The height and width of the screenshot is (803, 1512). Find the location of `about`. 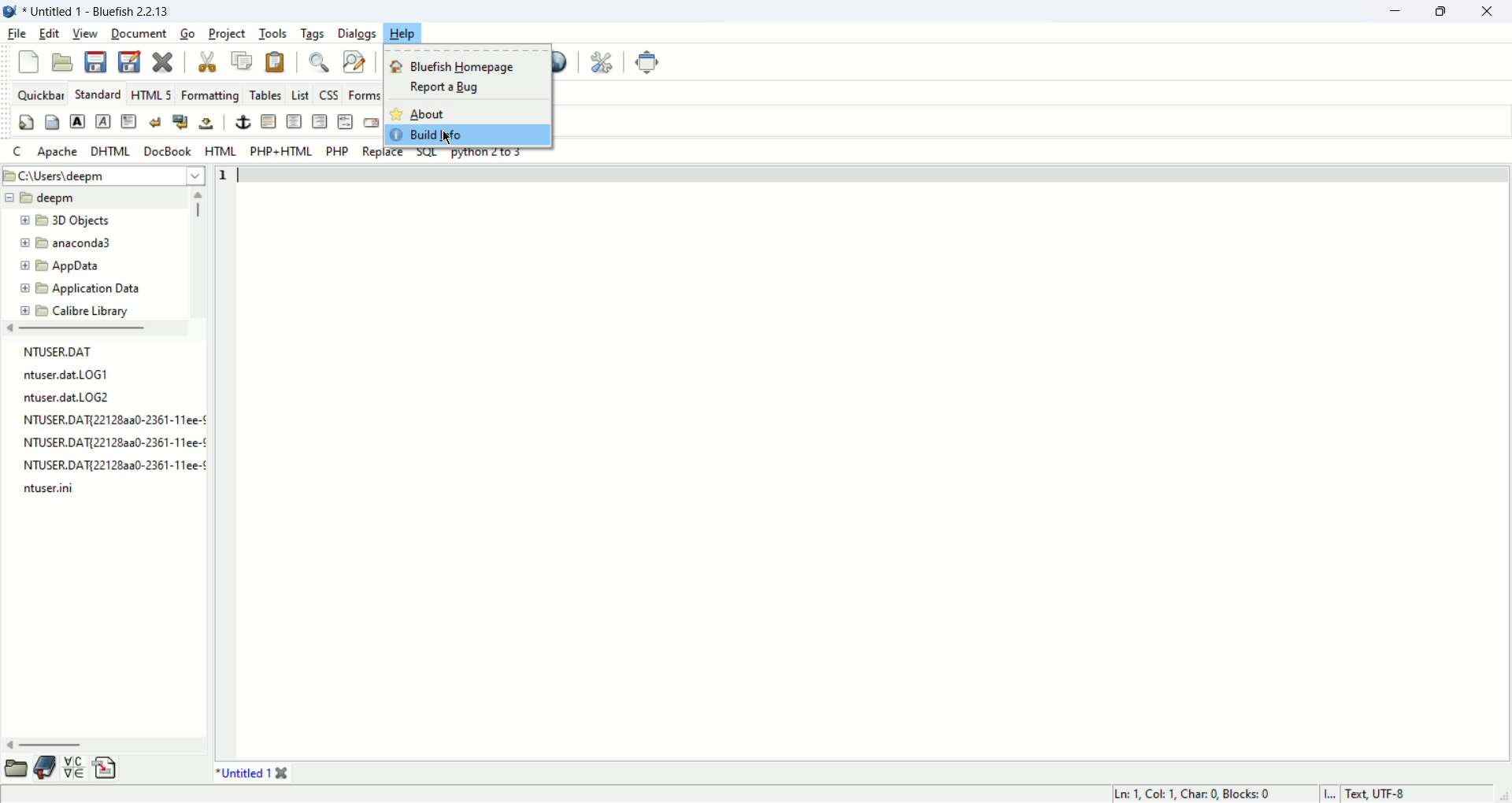

about is located at coordinates (432, 113).